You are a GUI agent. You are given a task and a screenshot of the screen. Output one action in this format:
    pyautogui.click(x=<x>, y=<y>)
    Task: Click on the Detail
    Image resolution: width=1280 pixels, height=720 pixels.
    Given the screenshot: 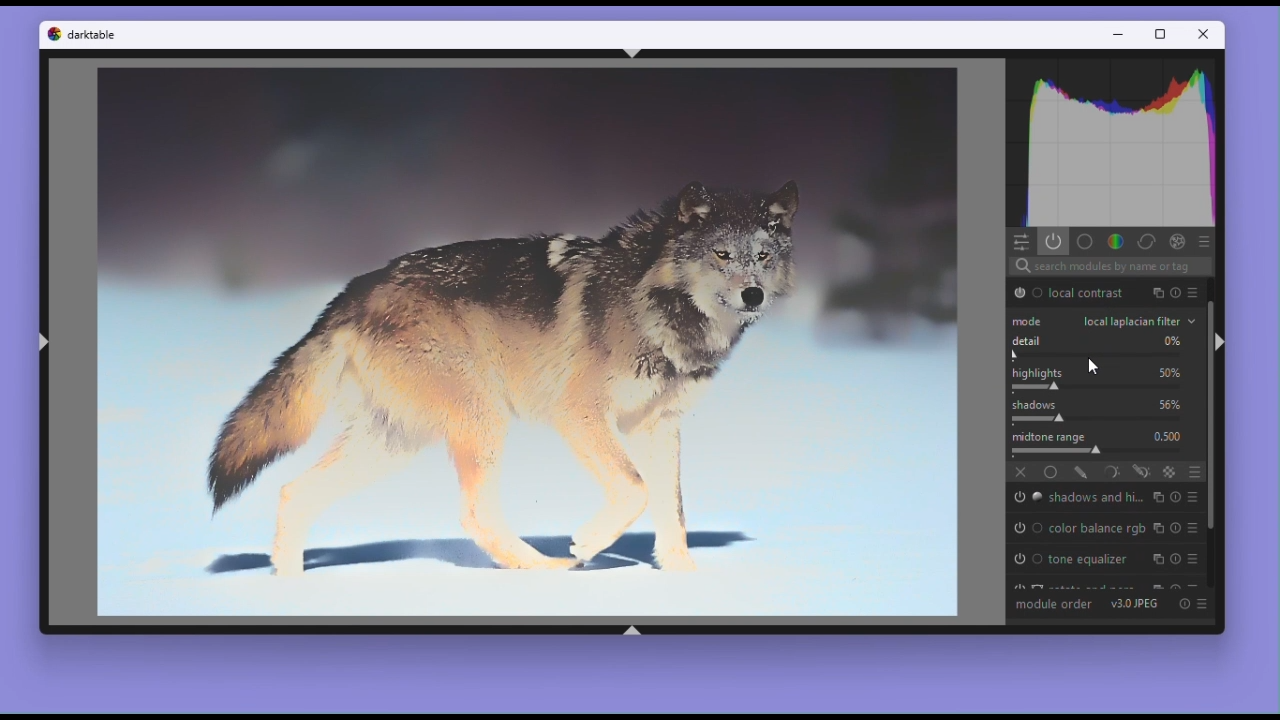 What is the action you would take?
    pyautogui.click(x=1104, y=348)
    